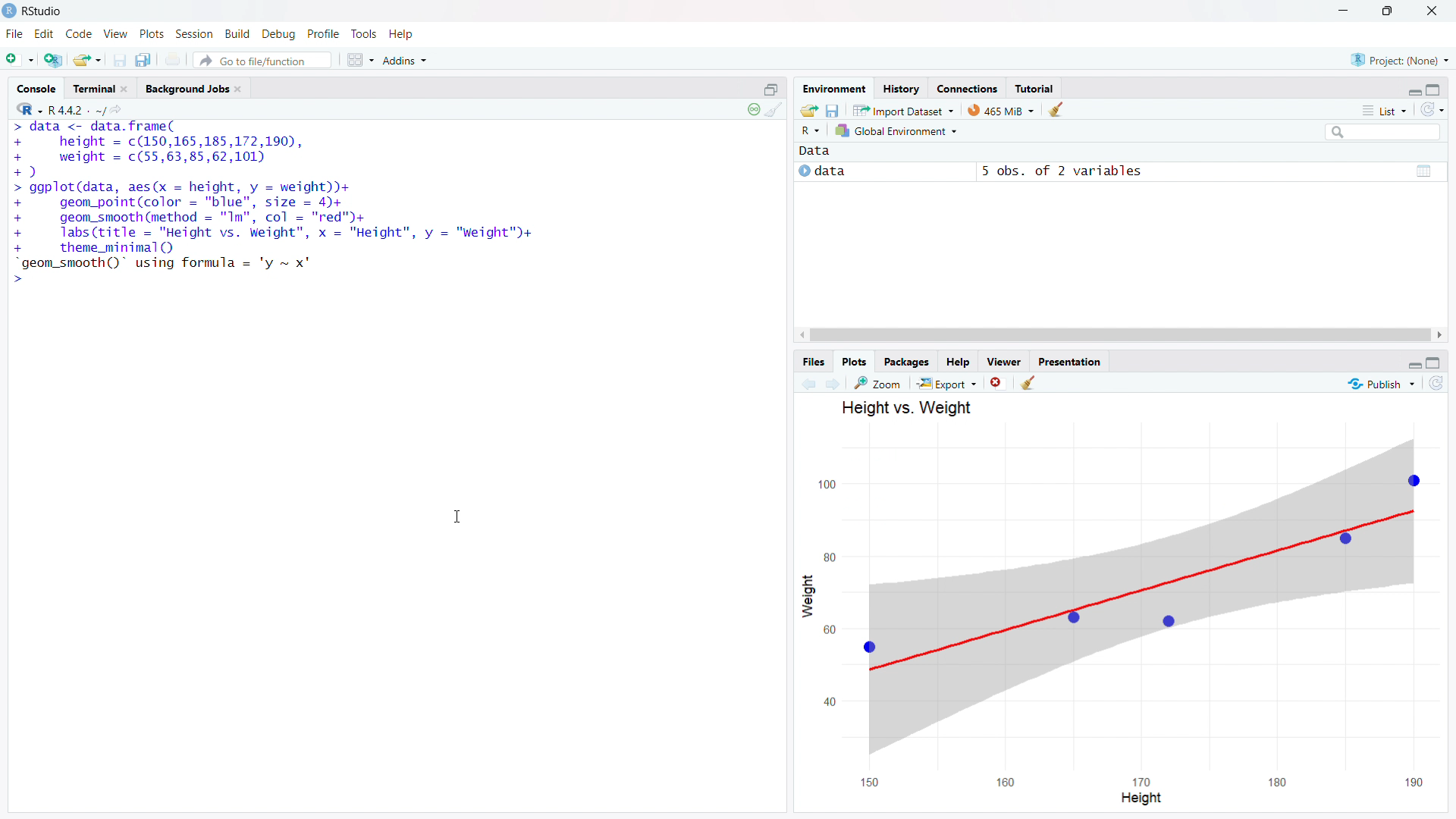 The height and width of the screenshot is (819, 1456). Describe the element at coordinates (1137, 782) in the screenshot. I see `x axis` at that location.